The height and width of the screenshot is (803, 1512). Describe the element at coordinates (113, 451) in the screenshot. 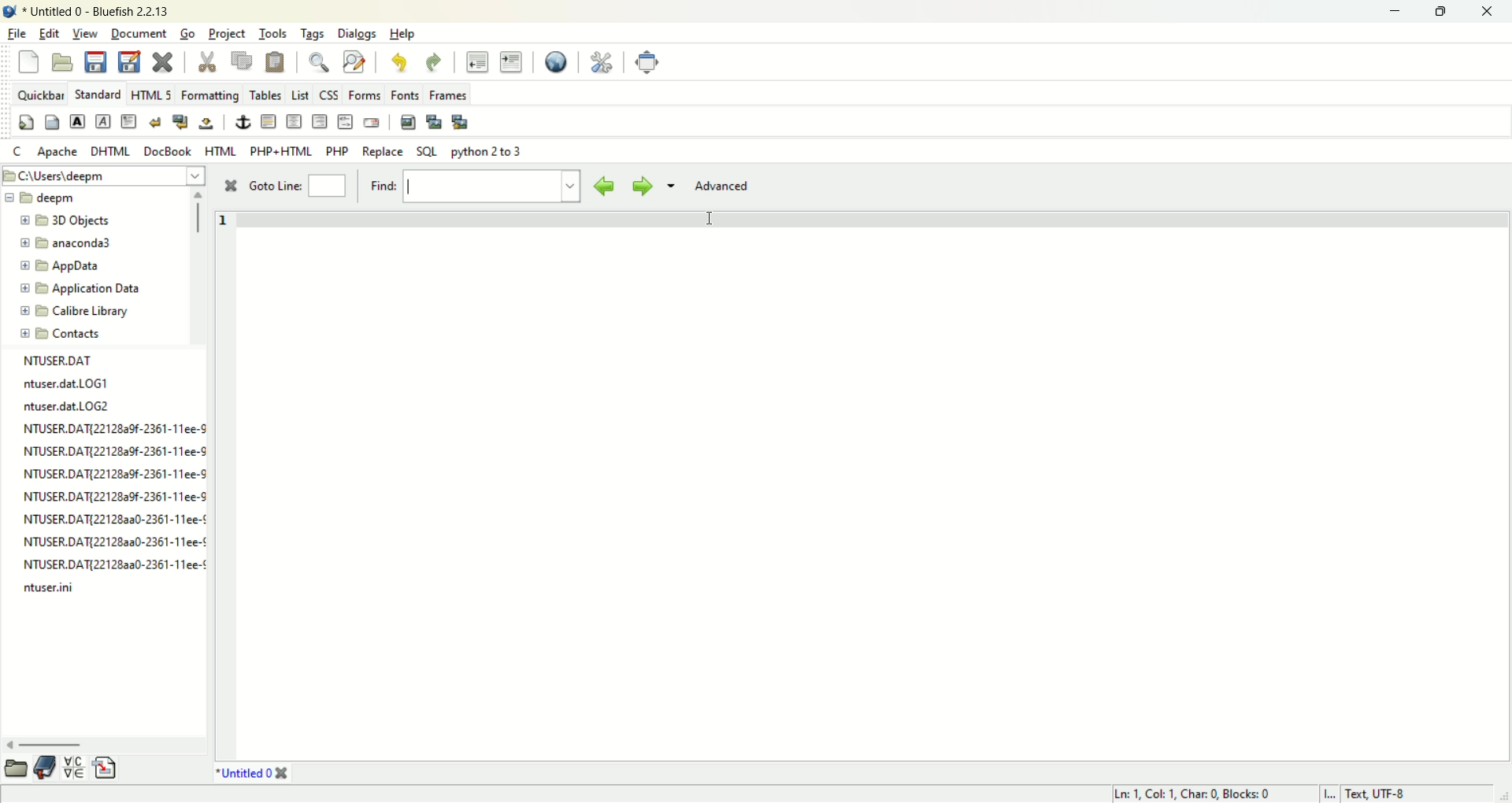

I see `NTUSER.DAT{2212829f-2361-11ee-9` at that location.